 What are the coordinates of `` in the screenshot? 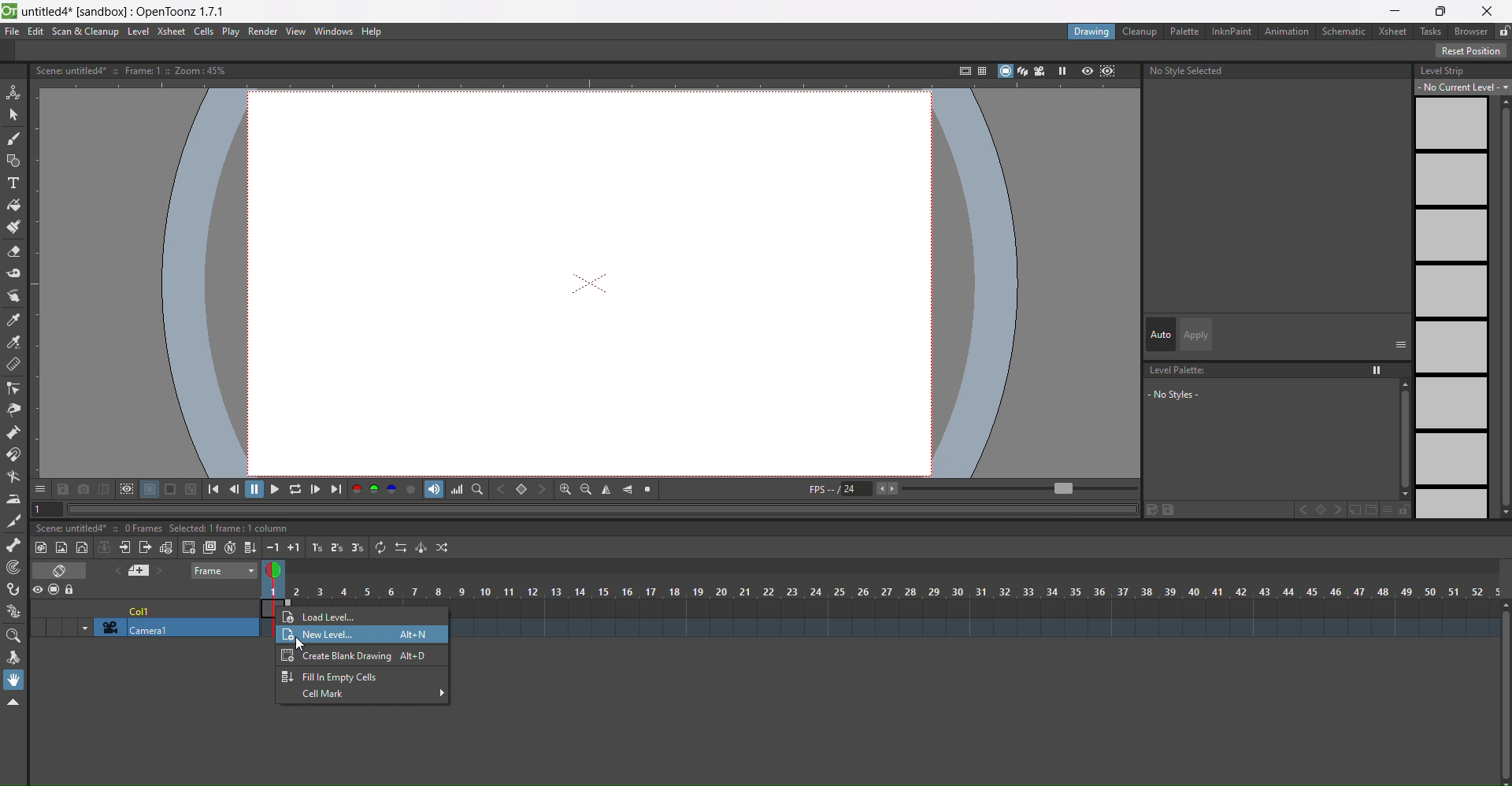 It's located at (627, 489).